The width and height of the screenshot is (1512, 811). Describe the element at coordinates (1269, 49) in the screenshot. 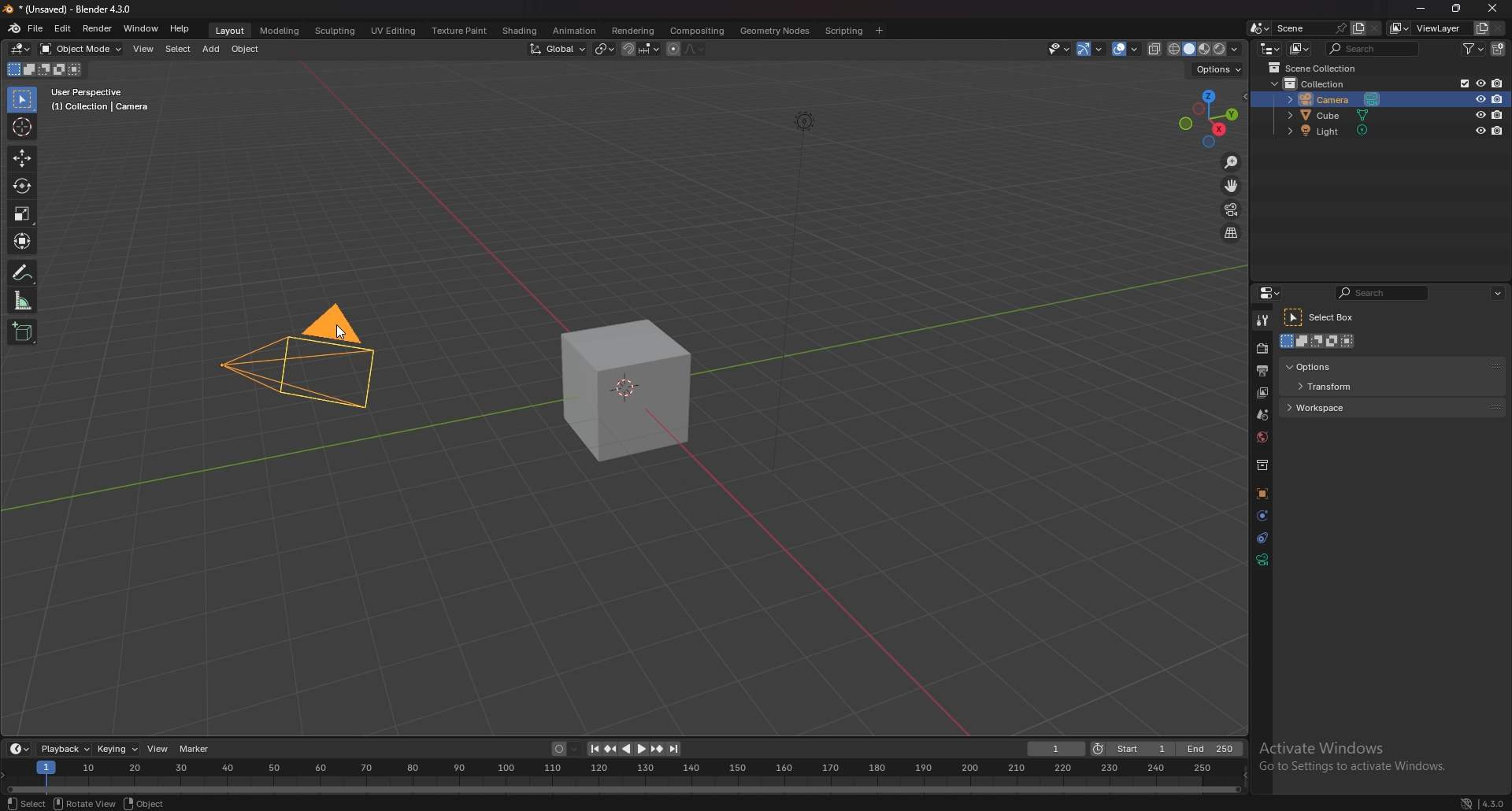

I see `editor type` at that location.